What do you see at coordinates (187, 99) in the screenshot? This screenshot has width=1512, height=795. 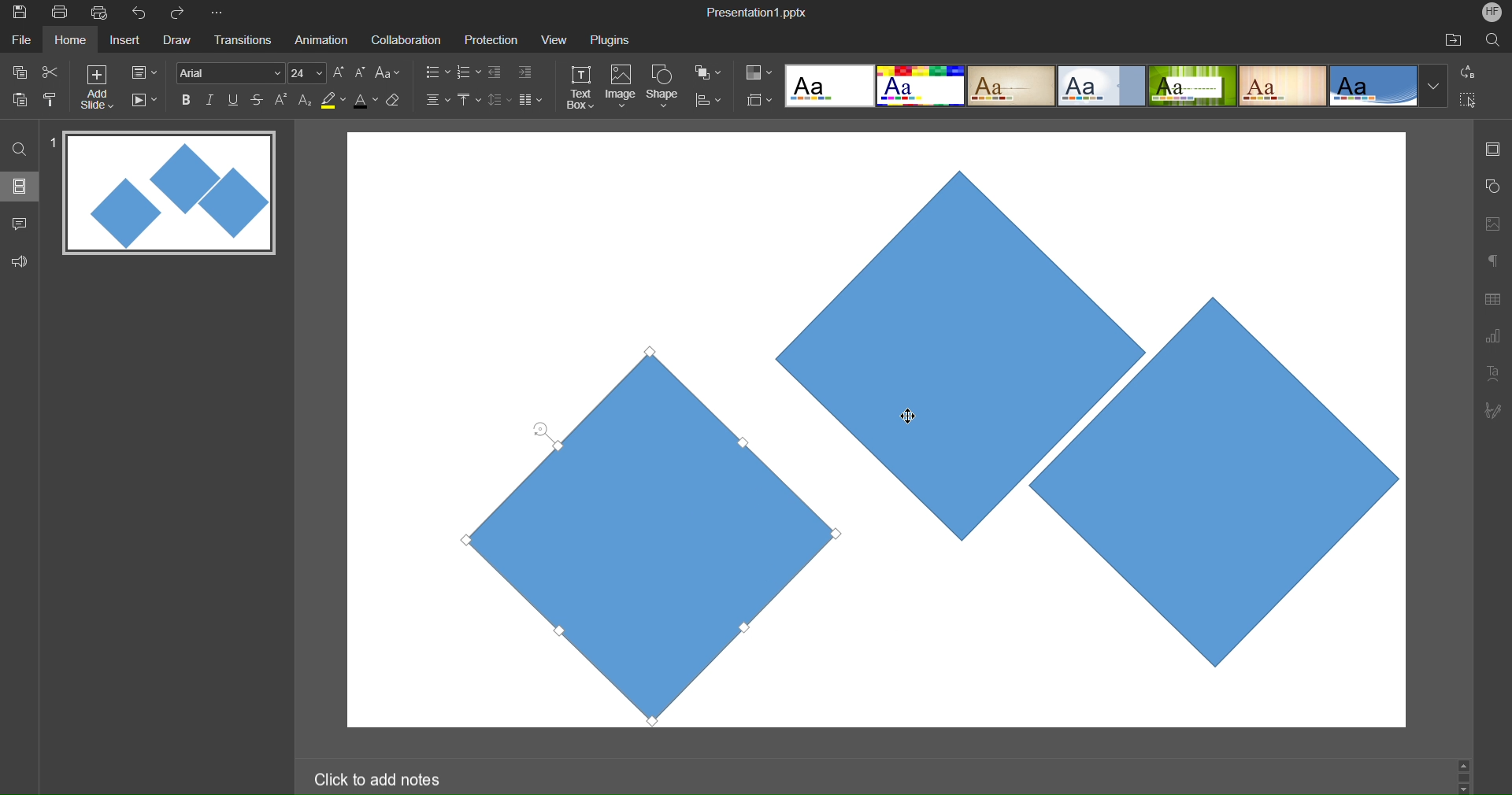 I see `Bold` at bounding box center [187, 99].